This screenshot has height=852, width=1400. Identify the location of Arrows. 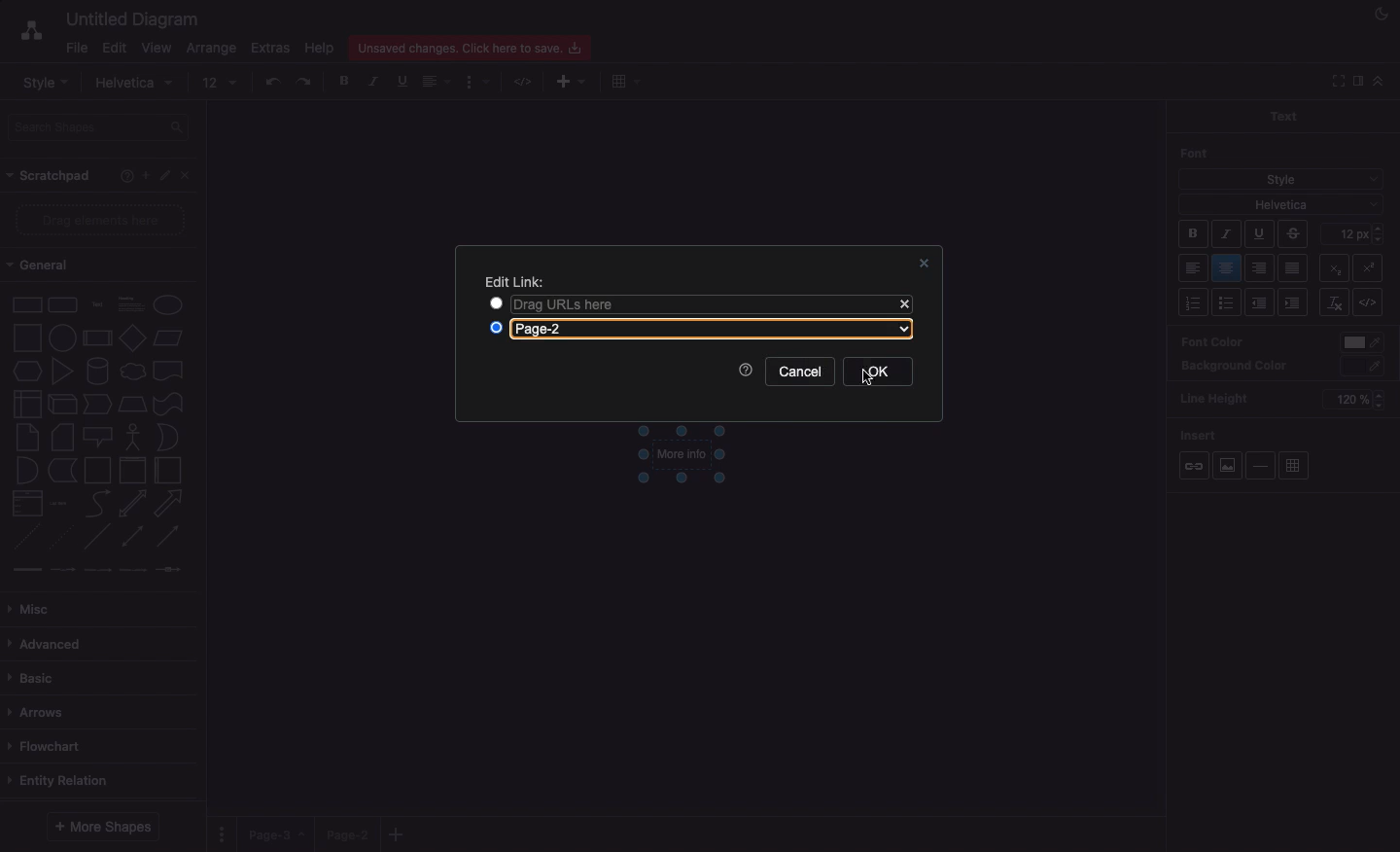
(40, 714).